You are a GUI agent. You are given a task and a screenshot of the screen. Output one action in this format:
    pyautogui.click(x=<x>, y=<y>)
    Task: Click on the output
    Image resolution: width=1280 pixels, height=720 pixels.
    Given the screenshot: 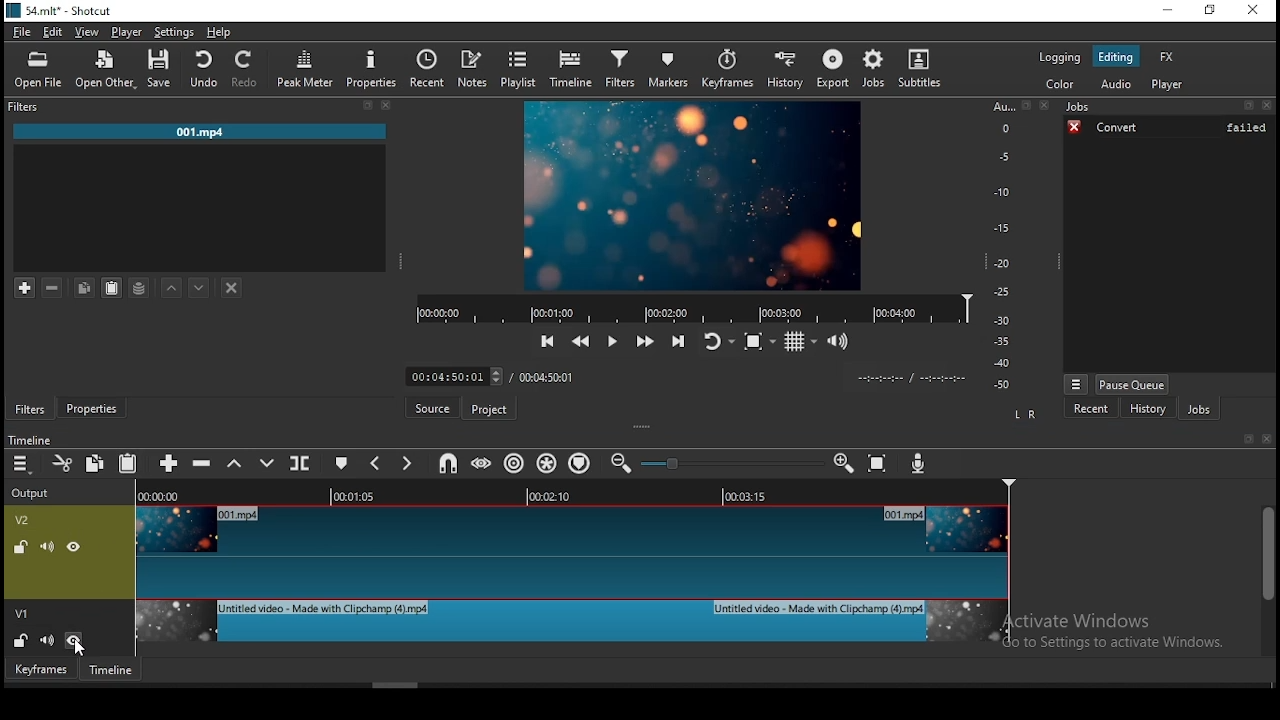 What is the action you would take?
    pyautogui.click(x=33, y=495)
    